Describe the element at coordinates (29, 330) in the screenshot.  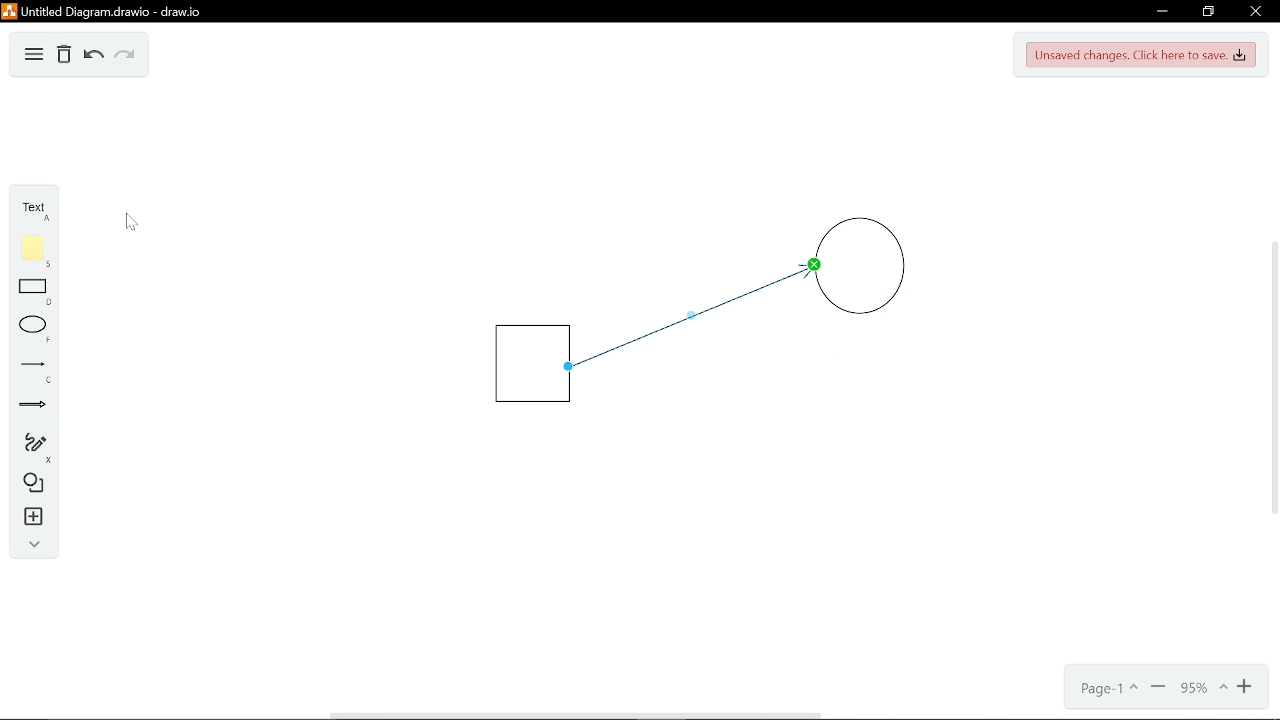
I see `Ellipse` at that location.